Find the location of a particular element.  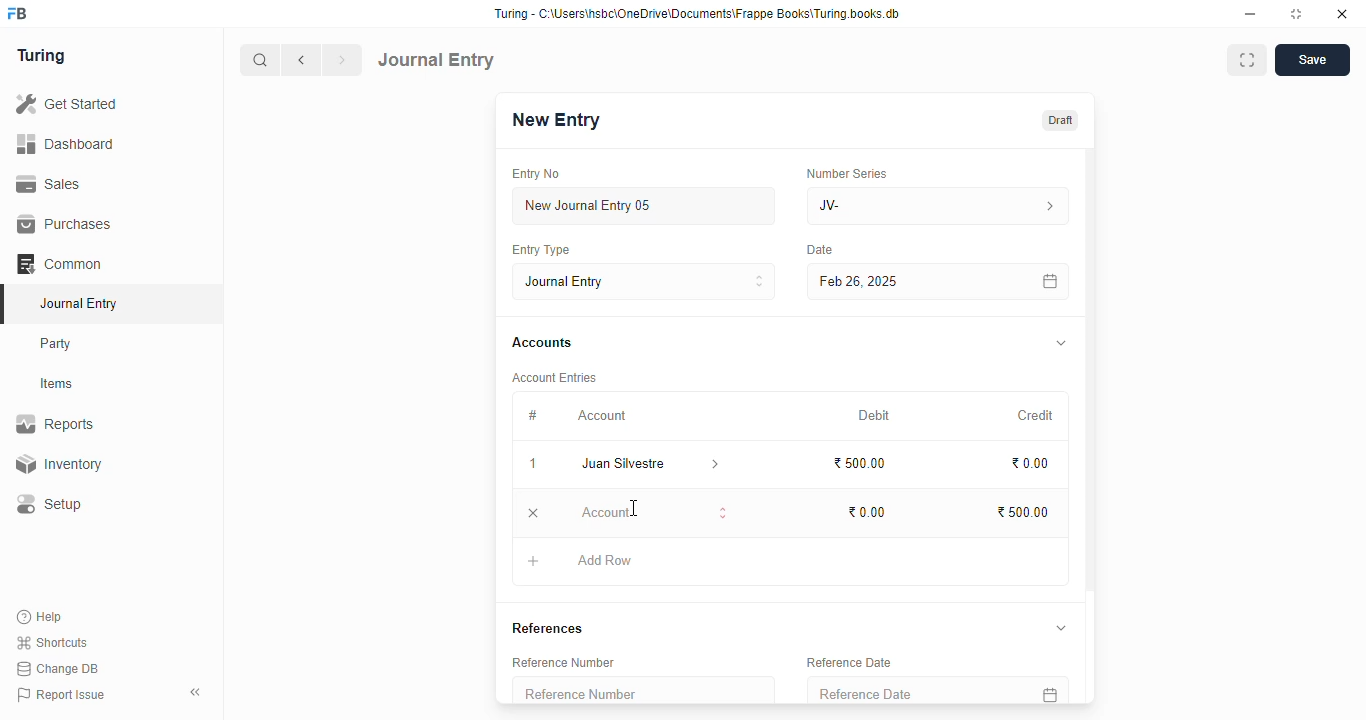

help is located at coordinates (41, 616).